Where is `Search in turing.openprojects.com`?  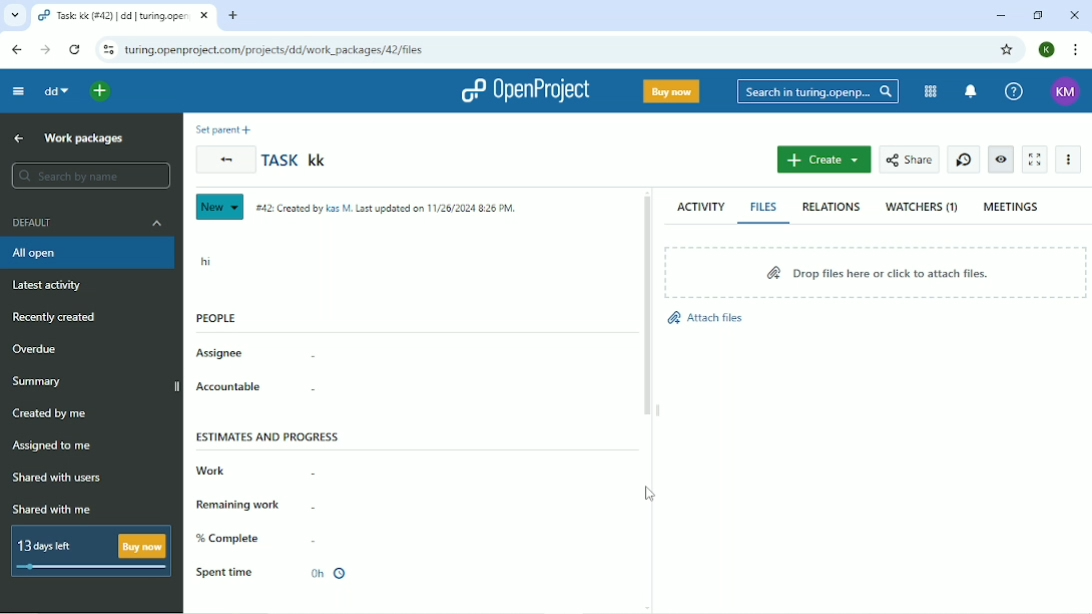 Search in turing.openprojects.com is located at coordinates (816, 93).